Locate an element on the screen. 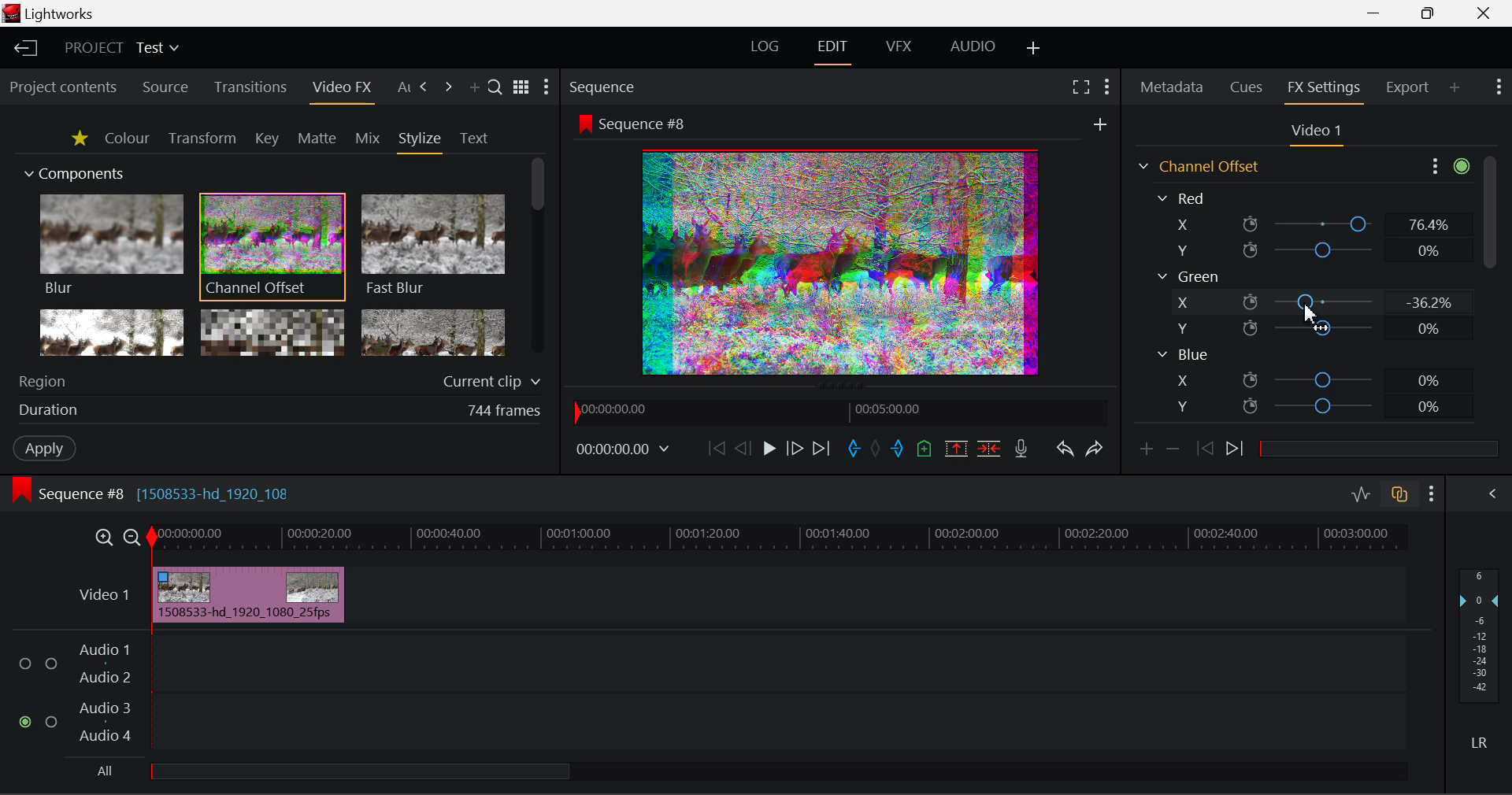 This screenshot has width=1512, height=795. Show Audio Mix is located at coordinates (1484, 494).